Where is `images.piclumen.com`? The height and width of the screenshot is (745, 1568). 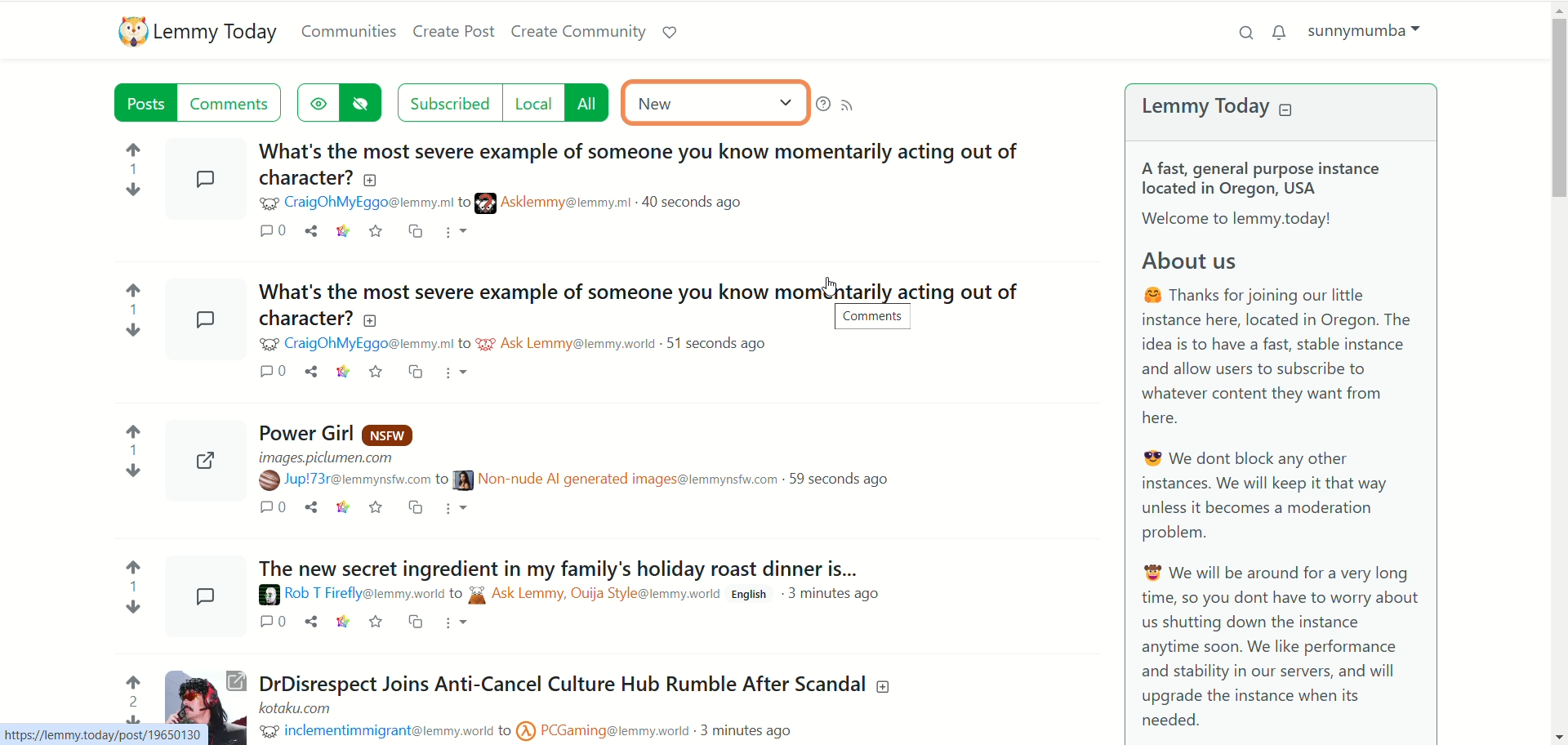 images.piclumen.com is located at coordinates (327, 454).